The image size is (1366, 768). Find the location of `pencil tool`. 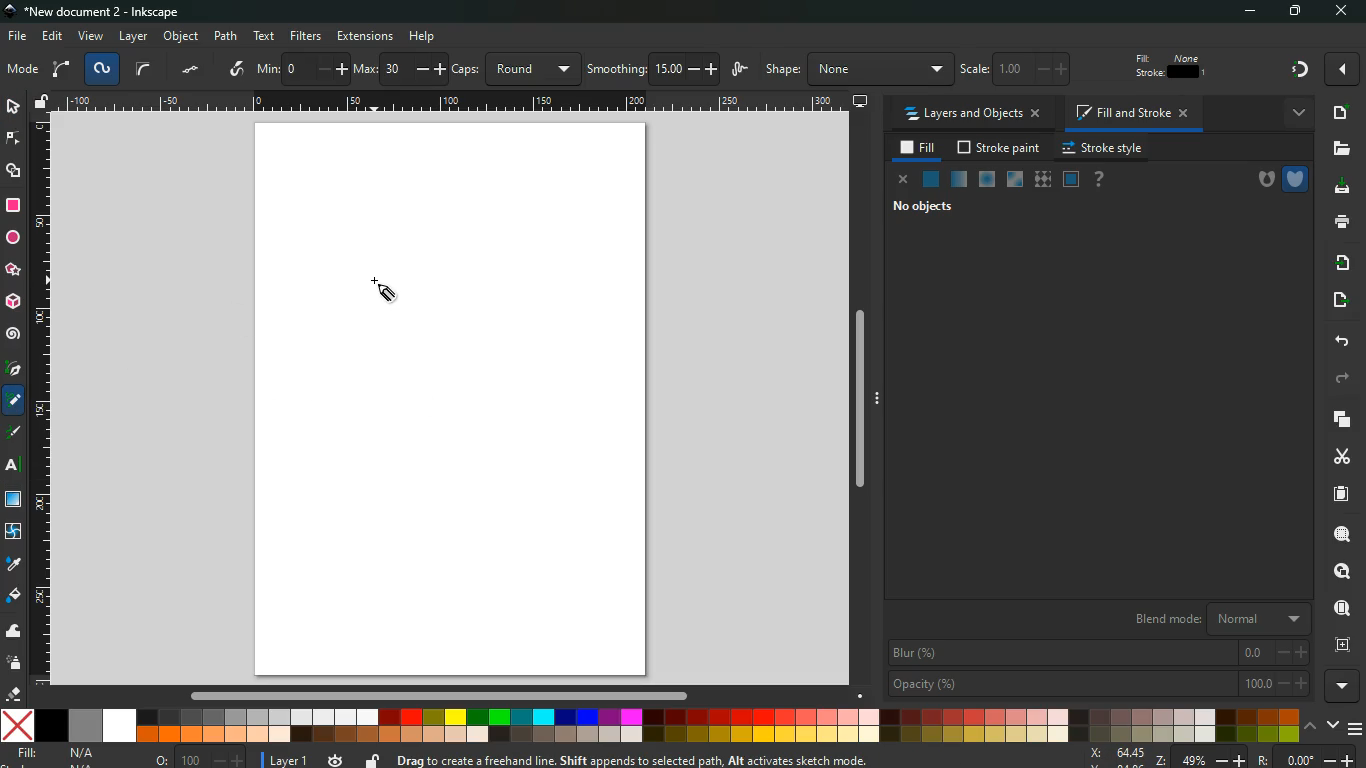

pencil tool is located at coordinates (14, 404).